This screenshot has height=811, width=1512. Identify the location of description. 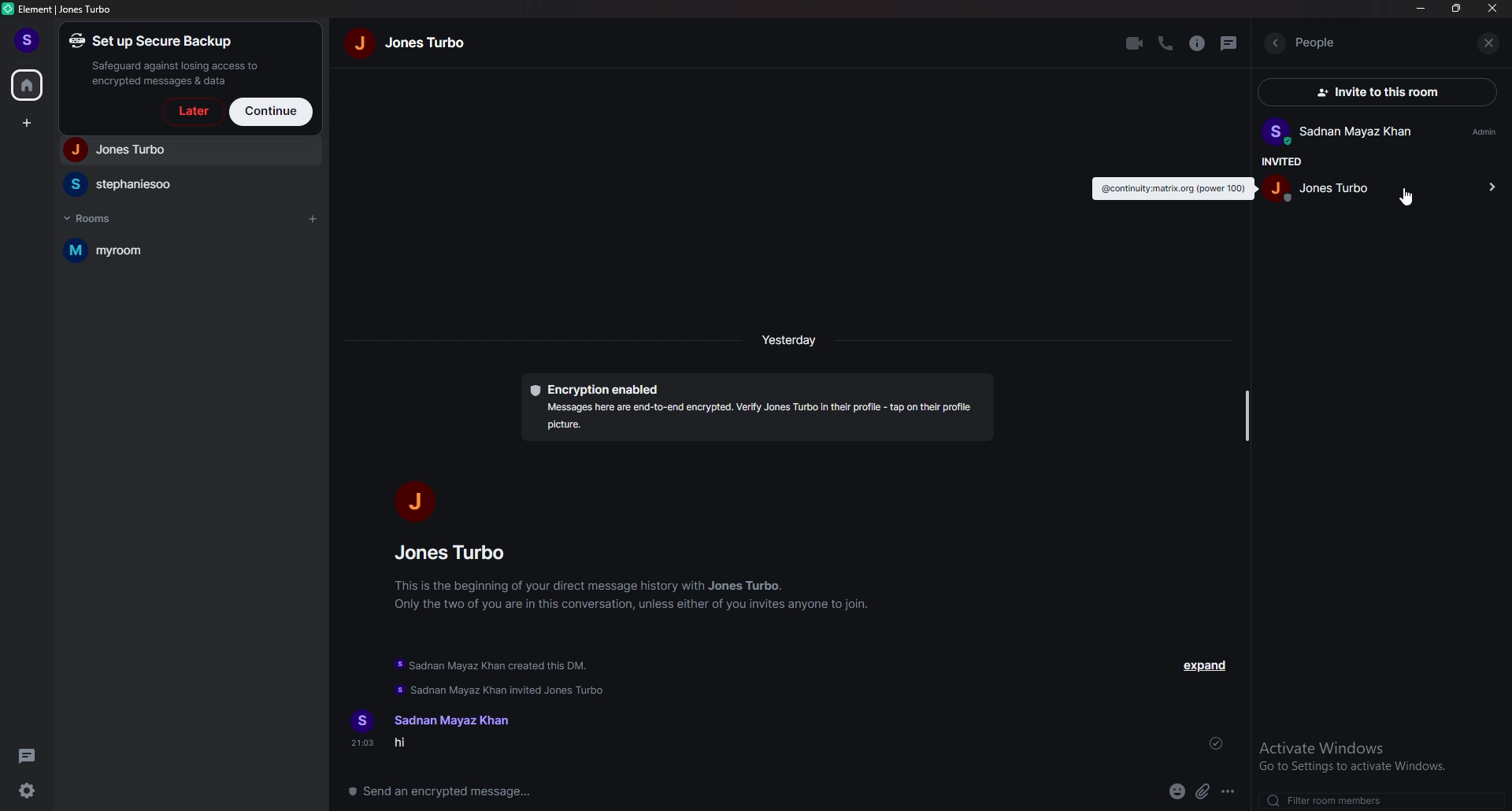
(1173, 189).